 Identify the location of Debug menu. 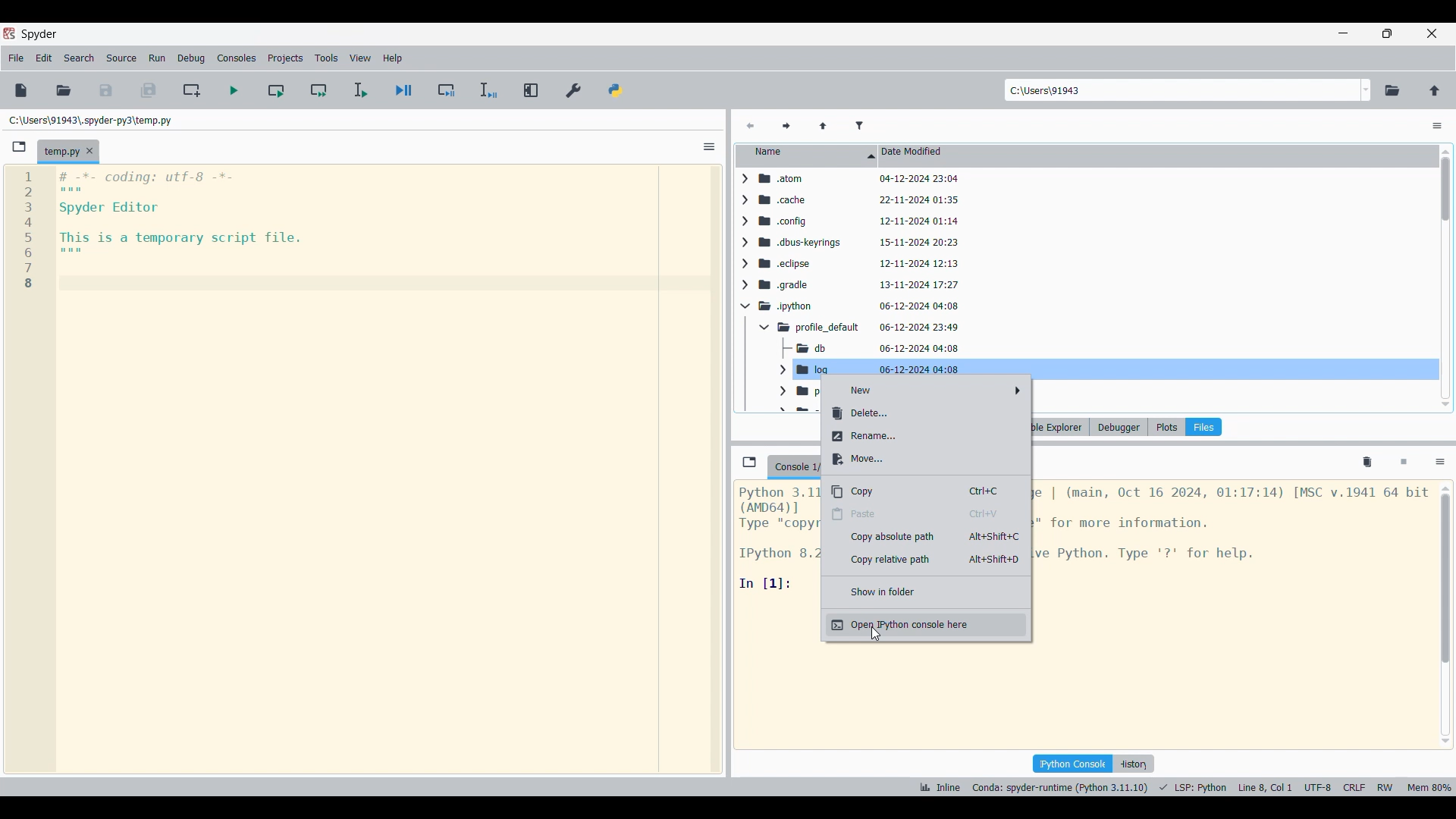
(192, 58).